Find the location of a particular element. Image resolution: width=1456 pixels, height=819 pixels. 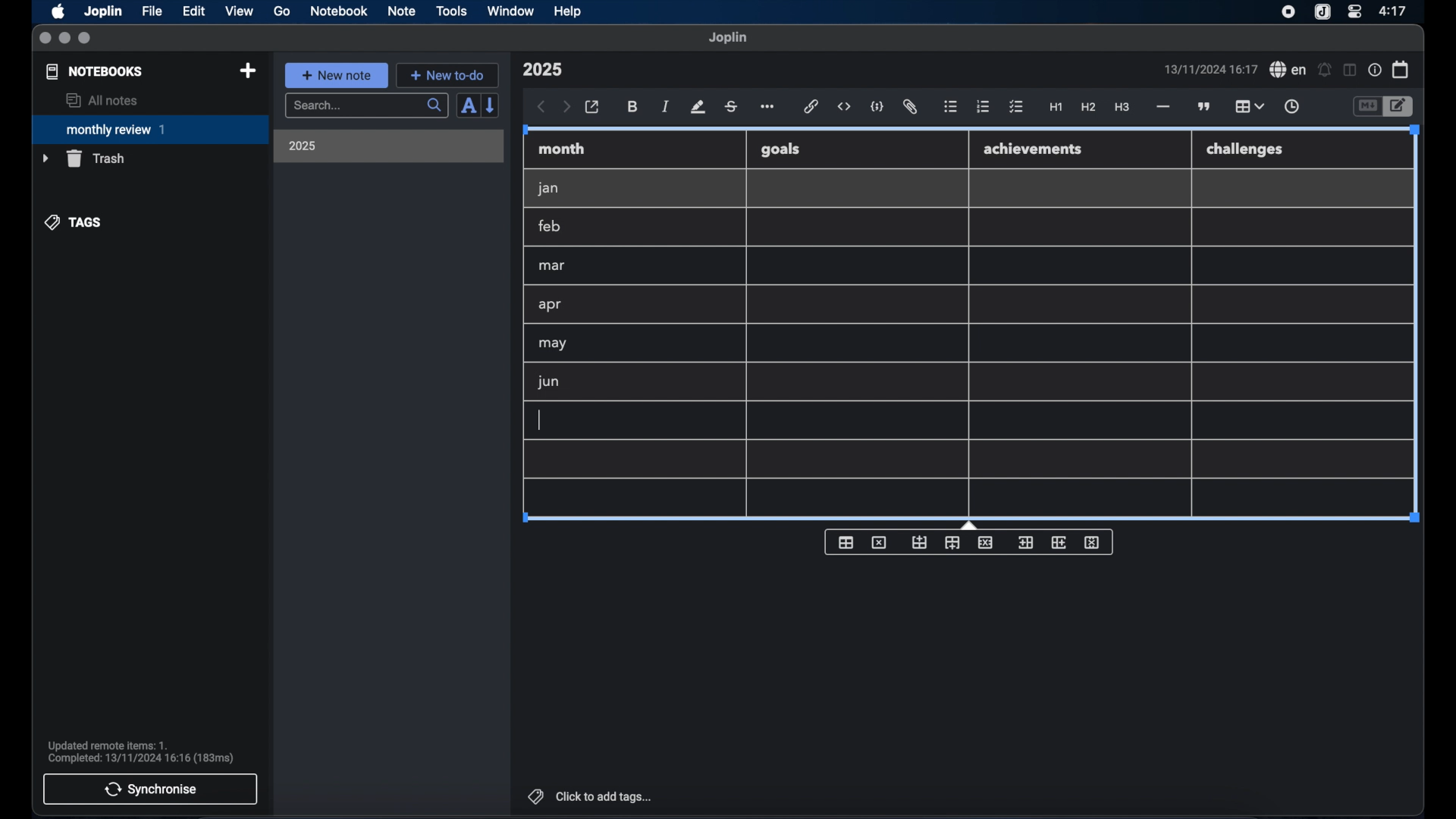

block quotes is located at coordinates (1205, 107).